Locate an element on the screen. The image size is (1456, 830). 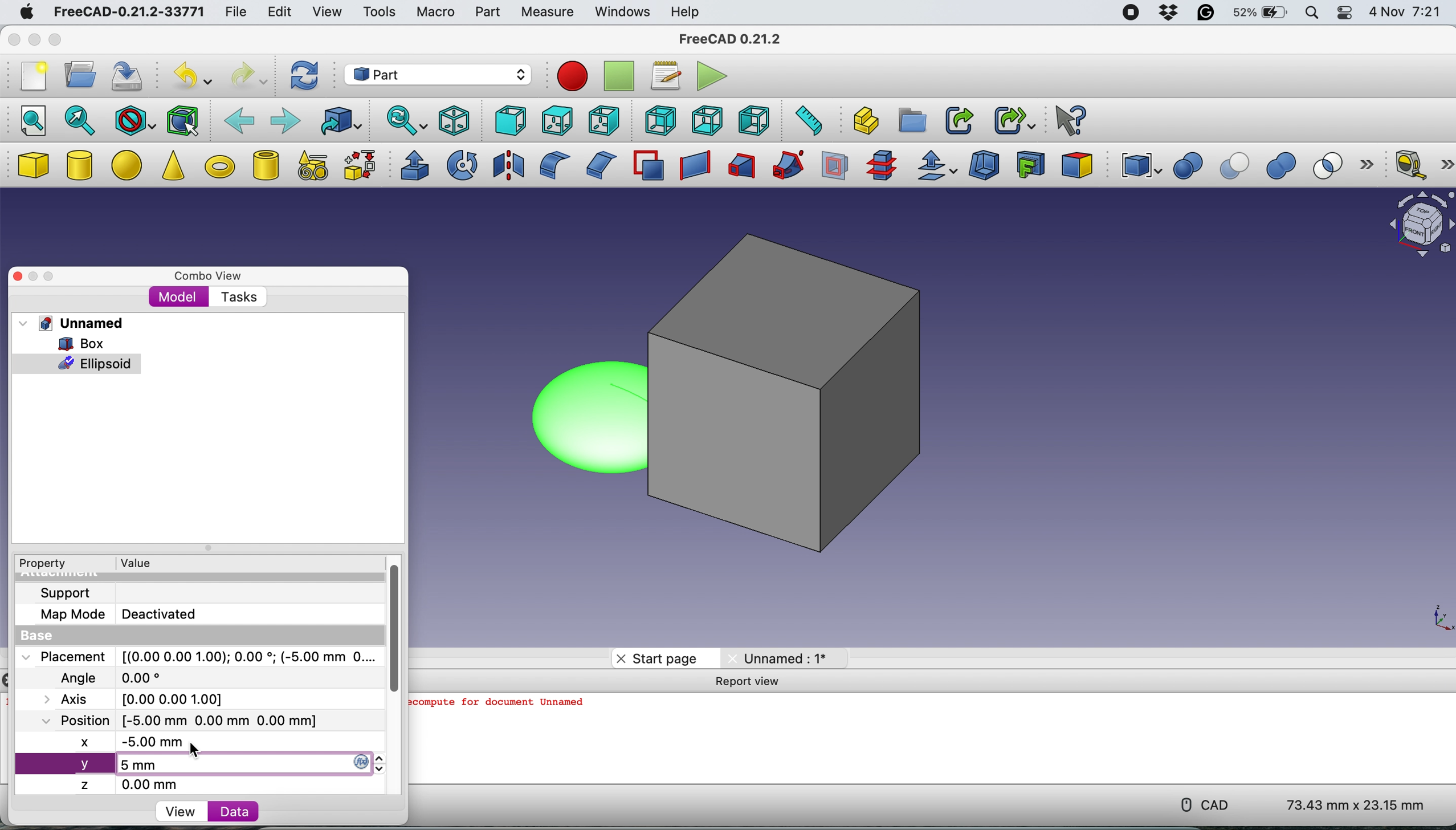
box is located at coordinates (78, 343).